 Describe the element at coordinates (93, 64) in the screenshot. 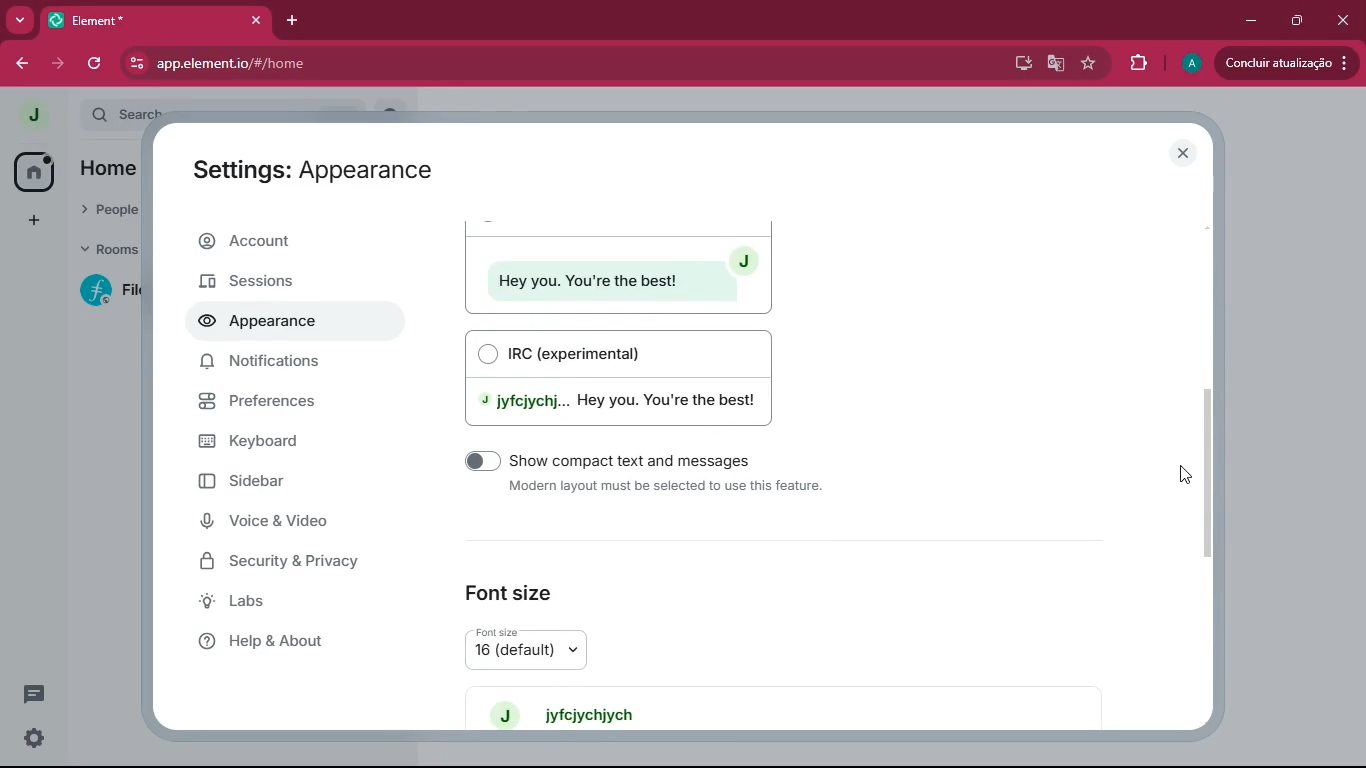

I see `refresh` at that location.